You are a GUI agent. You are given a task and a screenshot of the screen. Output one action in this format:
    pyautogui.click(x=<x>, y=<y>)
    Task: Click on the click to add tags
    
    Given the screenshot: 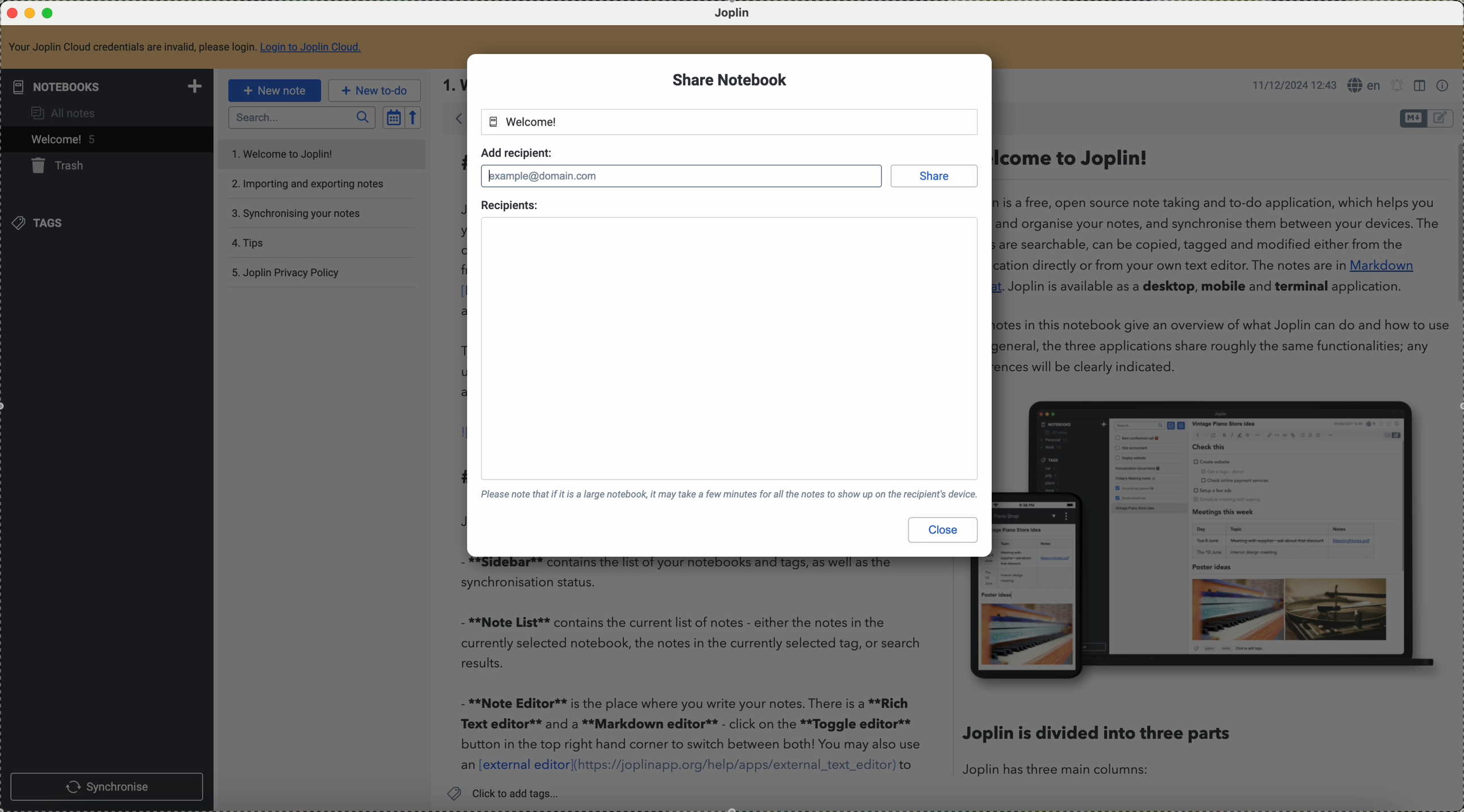 What is the action you would take?
    pyautogui.click(x=509, y=793)
    